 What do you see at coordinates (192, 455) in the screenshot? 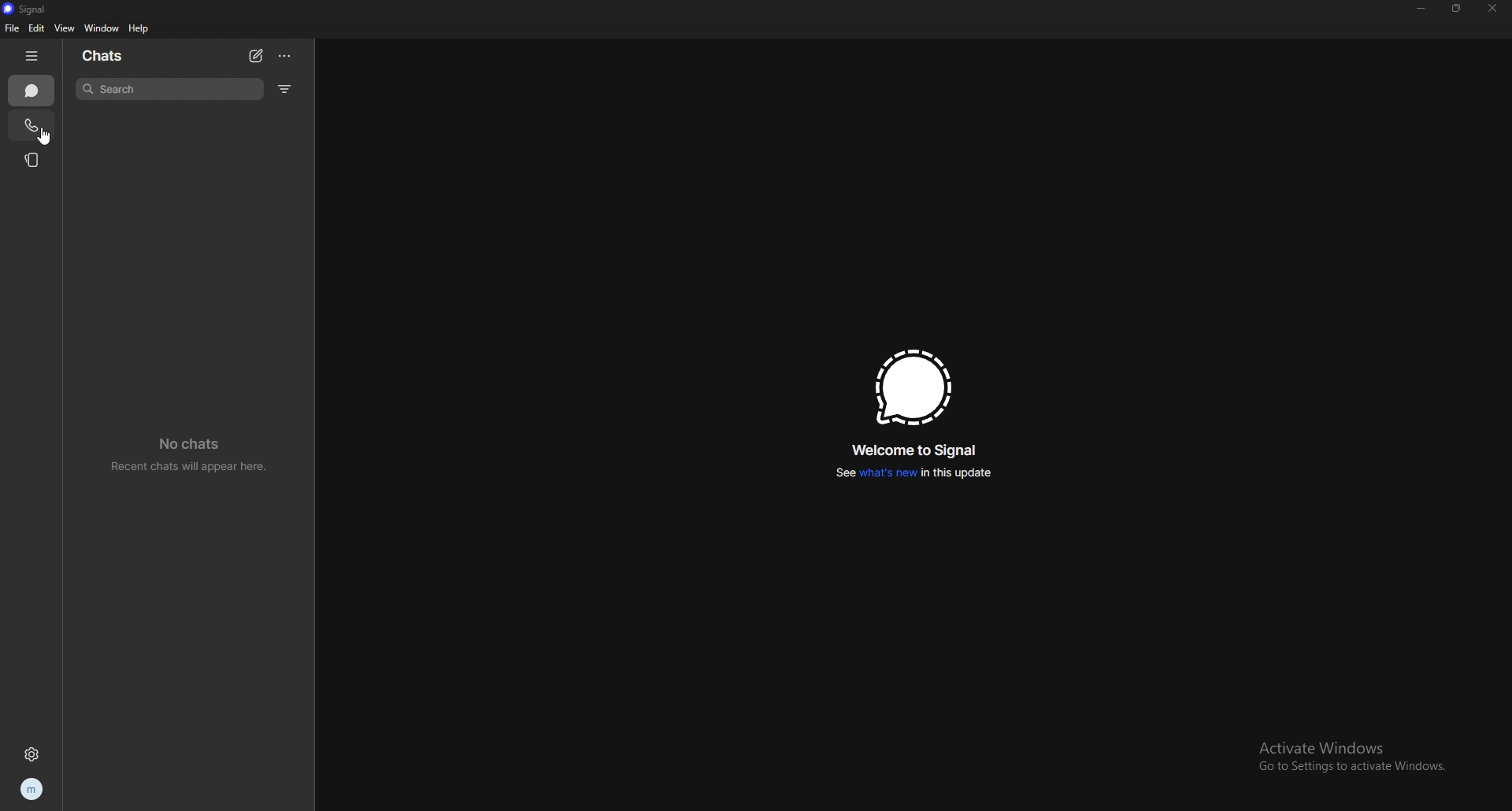
I see `no chats recent chats will appear here` at bounding box center [192, 455].